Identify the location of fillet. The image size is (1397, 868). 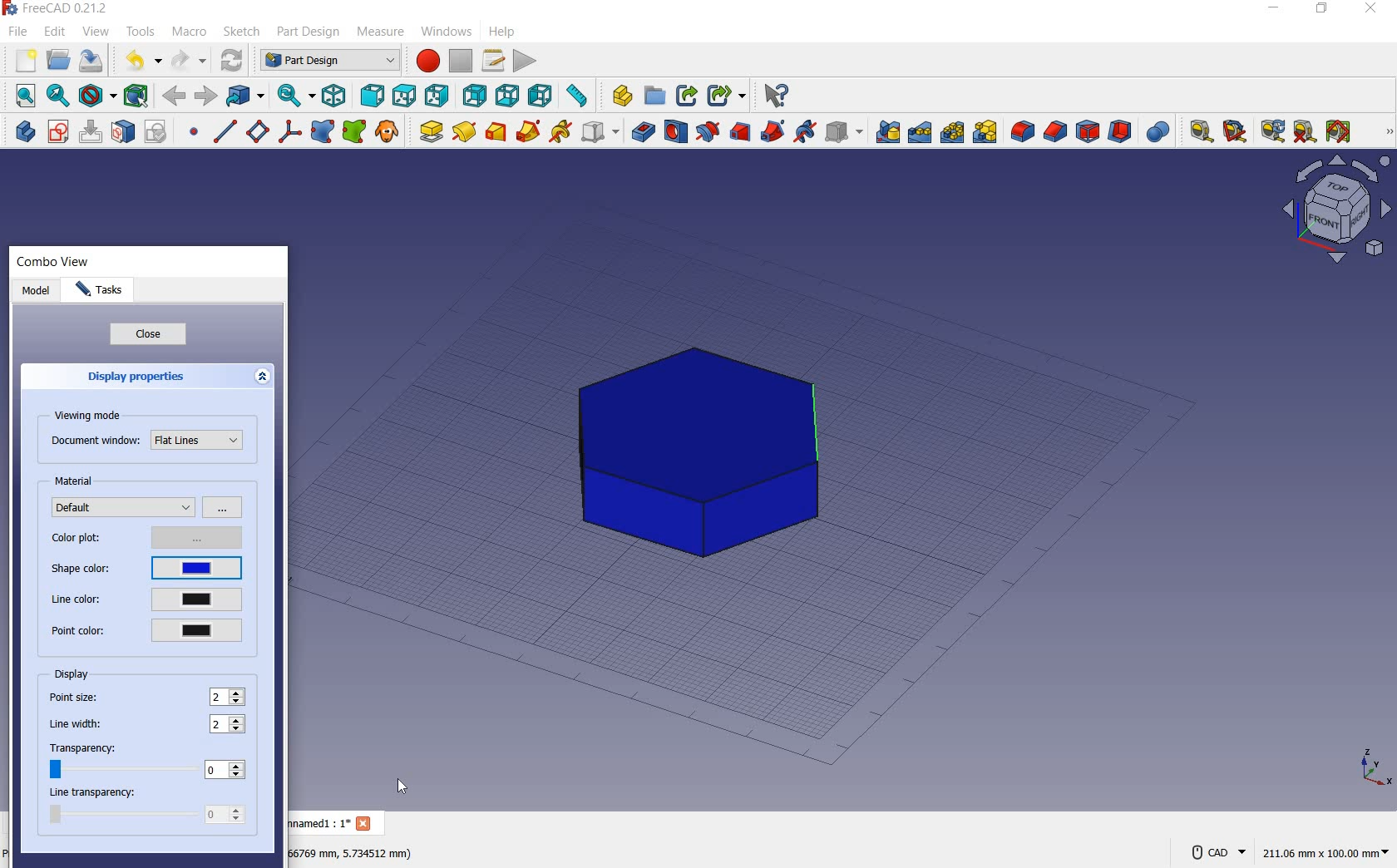
(1021, 132).